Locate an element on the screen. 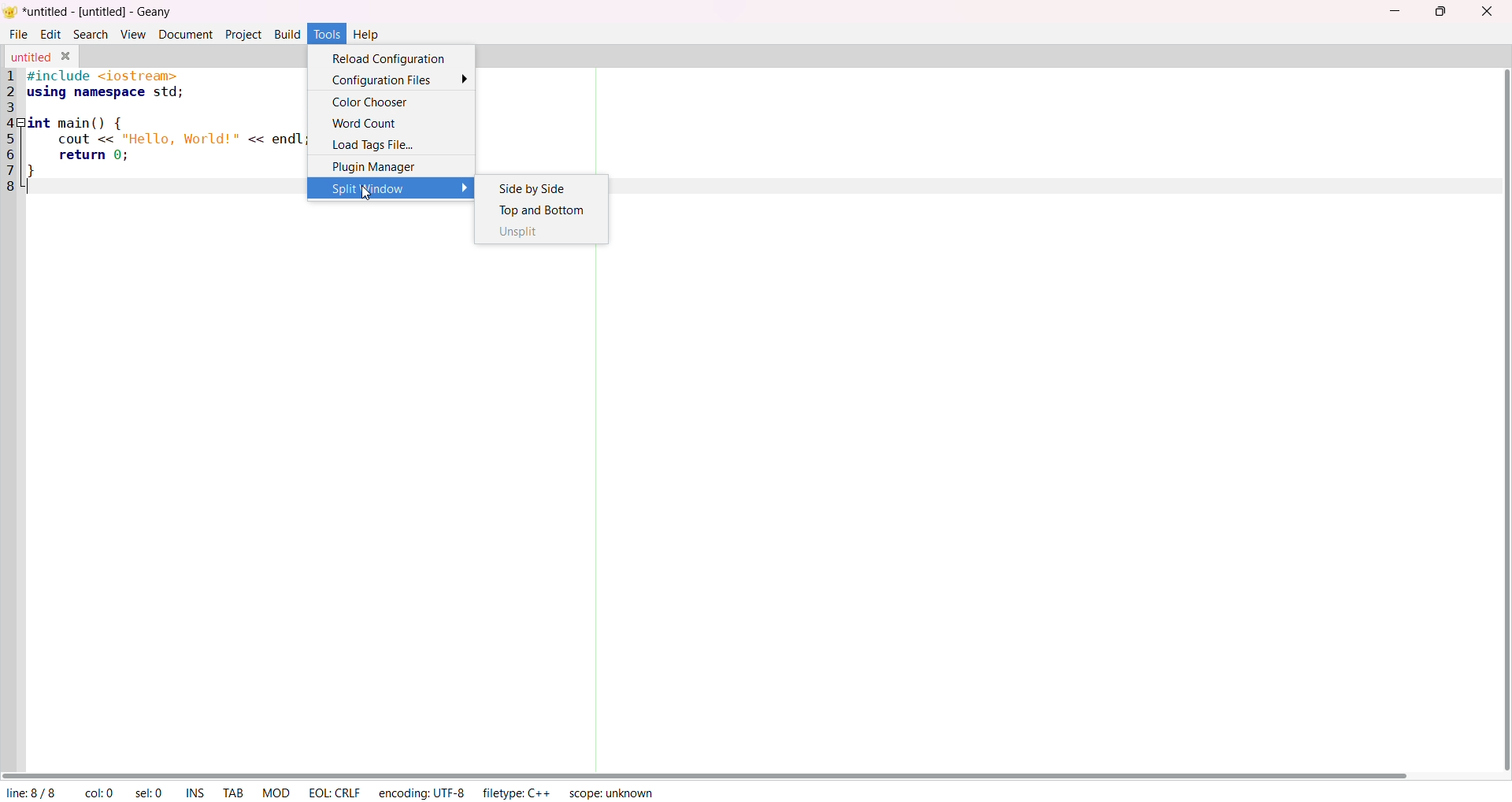 The height and width of the screenshot is (802, 1512). logo is located at coordinates (12, 11).